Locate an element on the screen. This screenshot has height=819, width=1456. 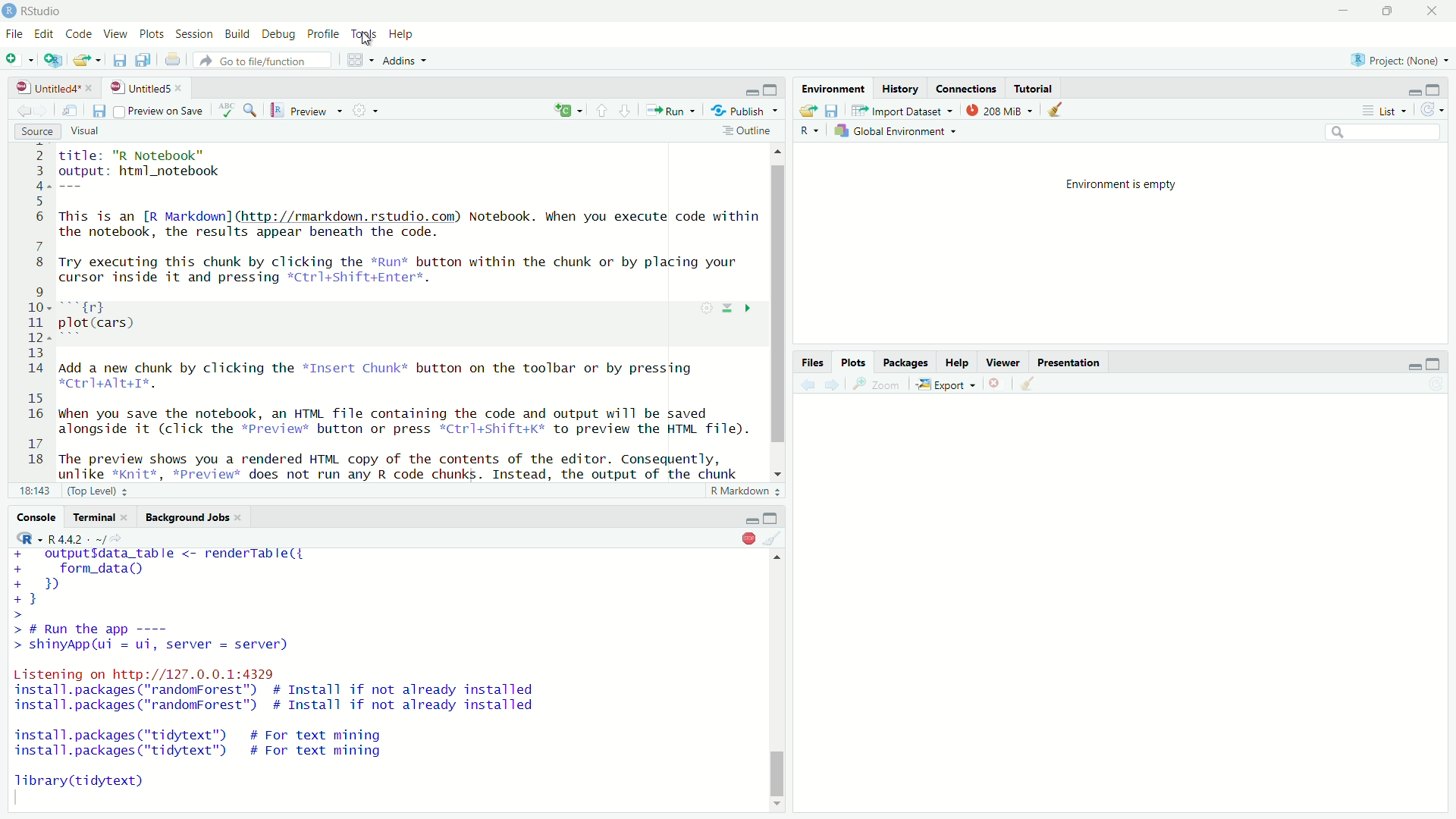
R is located at coordinates (806, 131).